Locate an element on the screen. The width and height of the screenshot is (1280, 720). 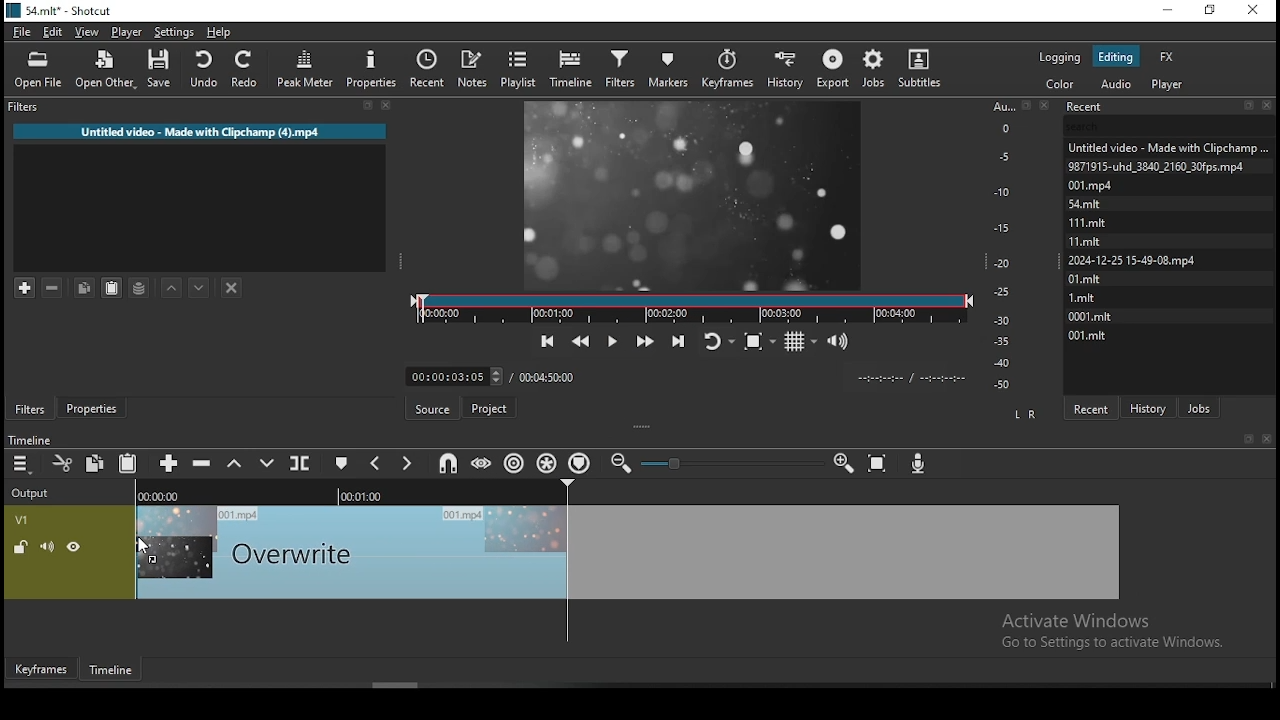
edit is located at coordinates (55, 31).